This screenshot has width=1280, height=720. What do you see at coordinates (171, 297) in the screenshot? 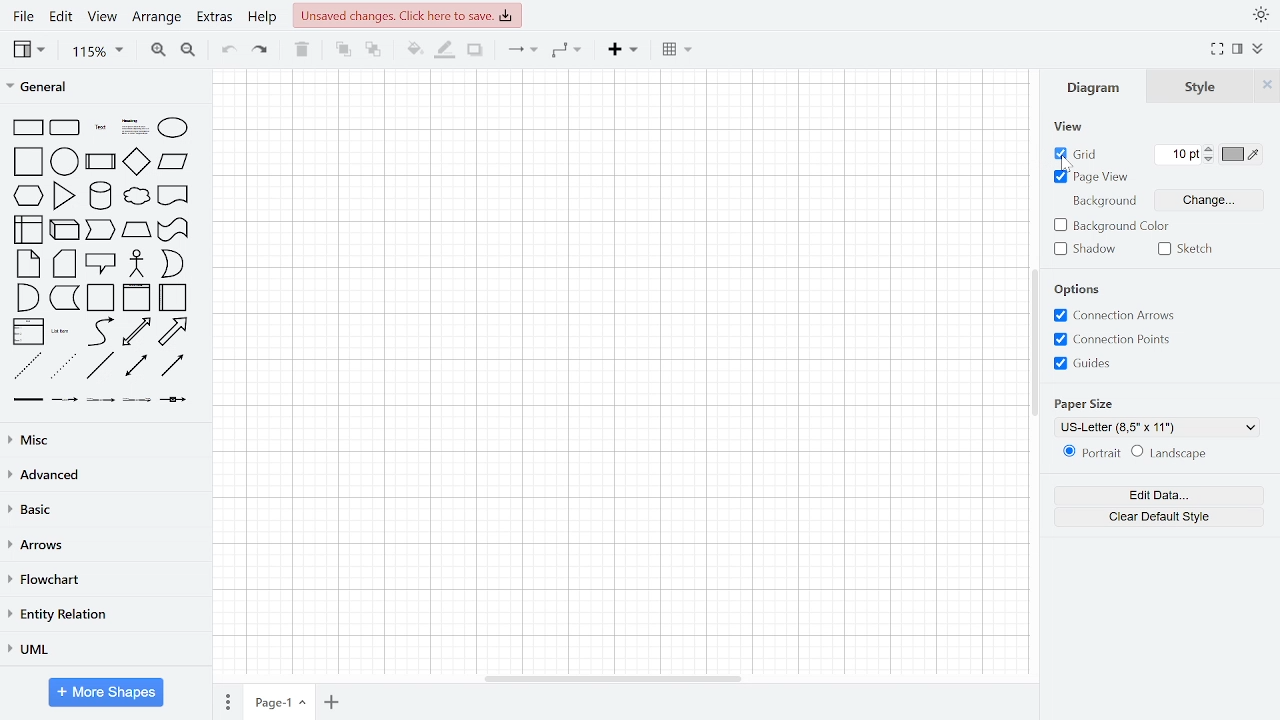
I see `horizontal container` at bounding box center [171, 297].